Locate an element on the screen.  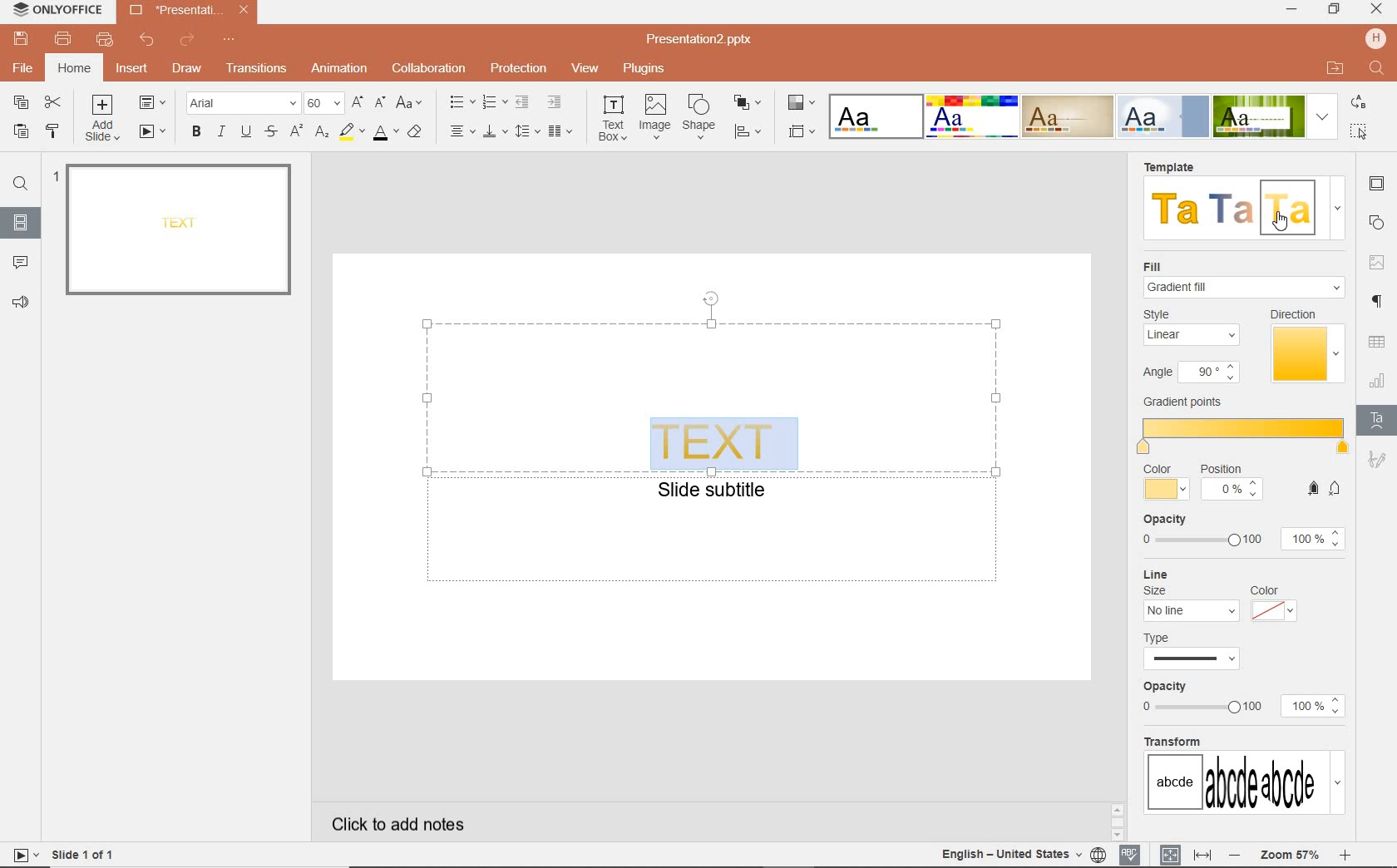
COLLABORATION is located at coordinates (429, 67).